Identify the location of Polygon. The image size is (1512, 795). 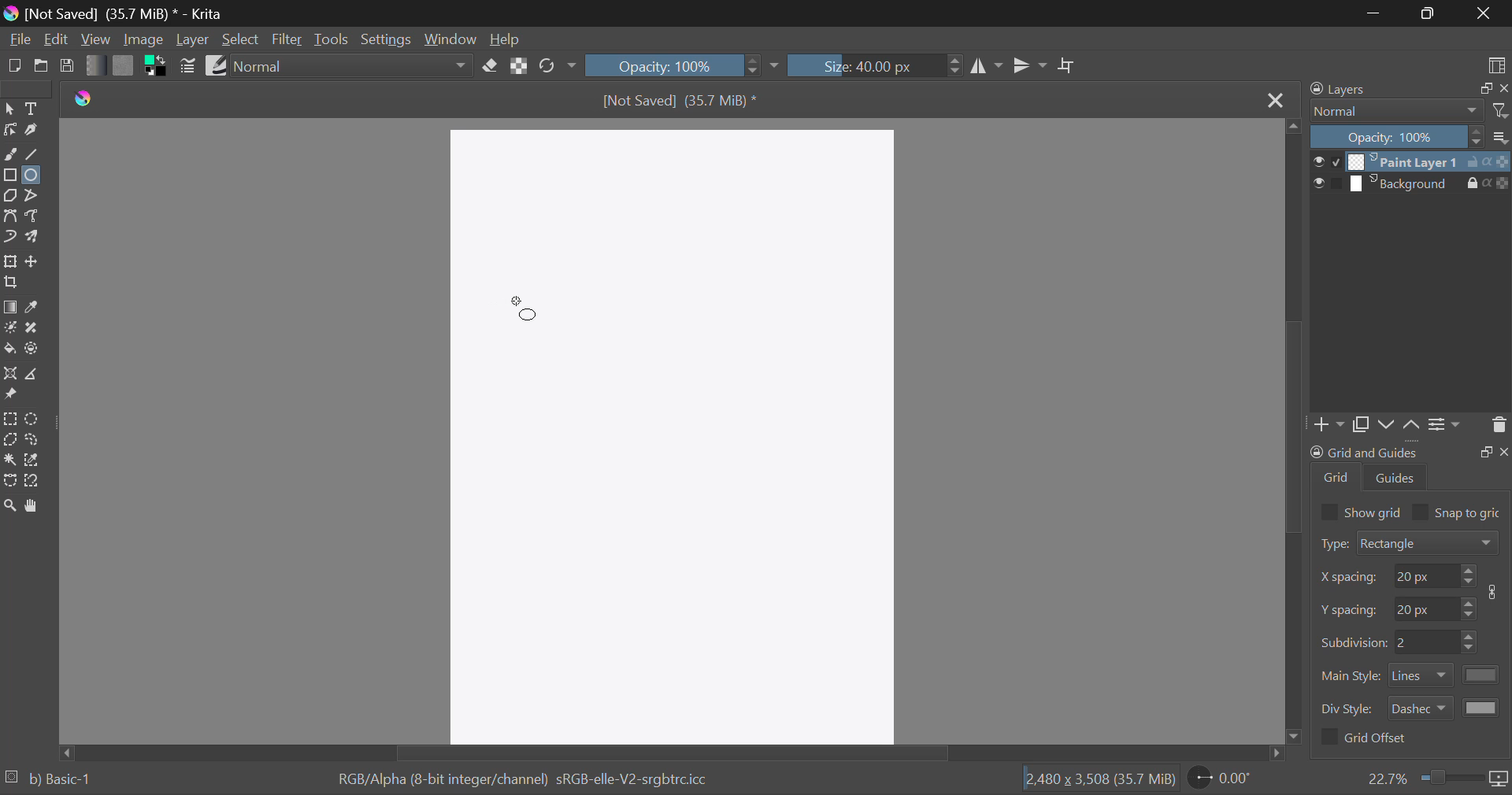
(9, 194).